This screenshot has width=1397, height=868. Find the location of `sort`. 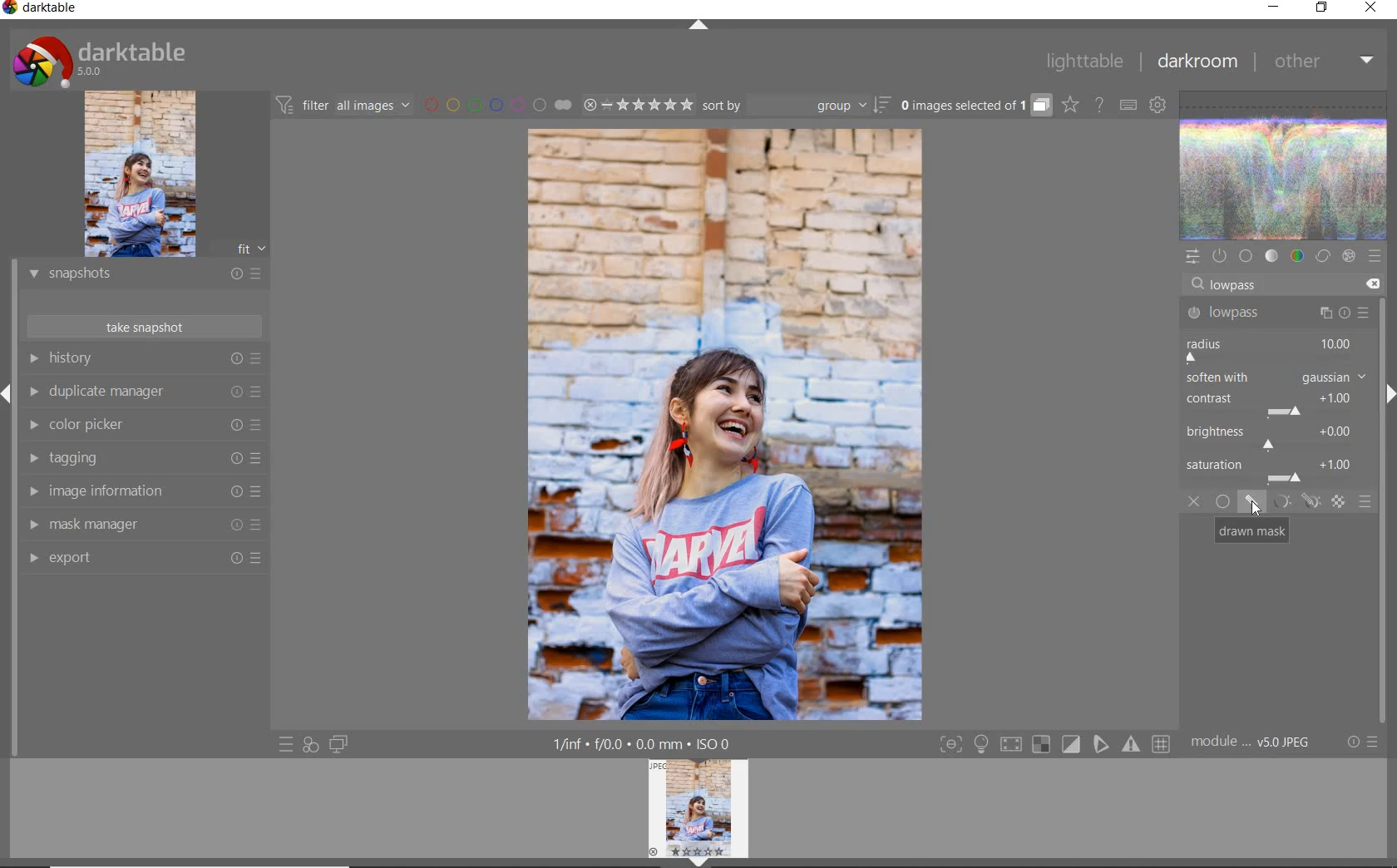

sort is located at coordinates (797, 107).